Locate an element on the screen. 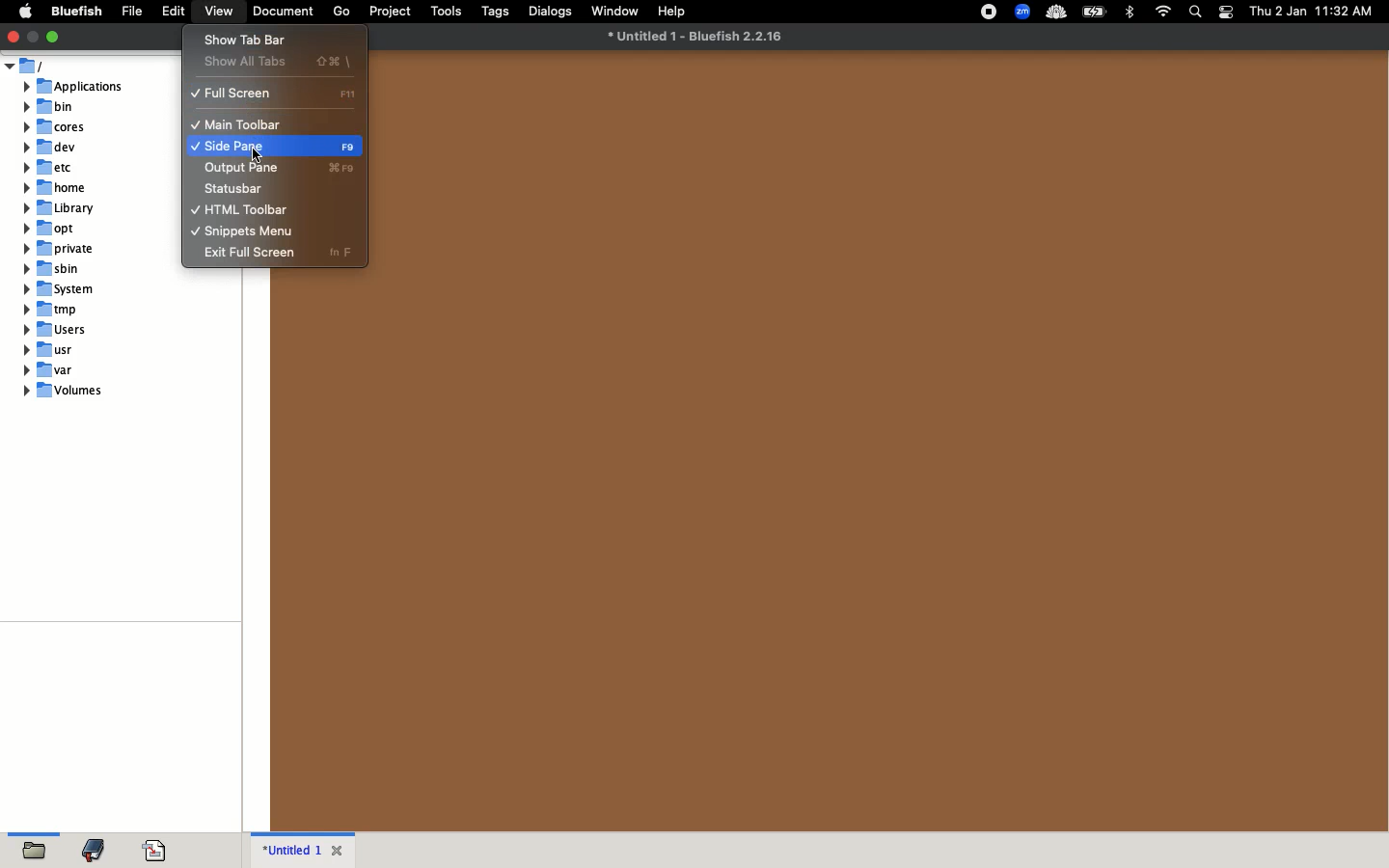 The width and height of the screenshot is (1389, 868). cores is located at coordinates (54, 126).